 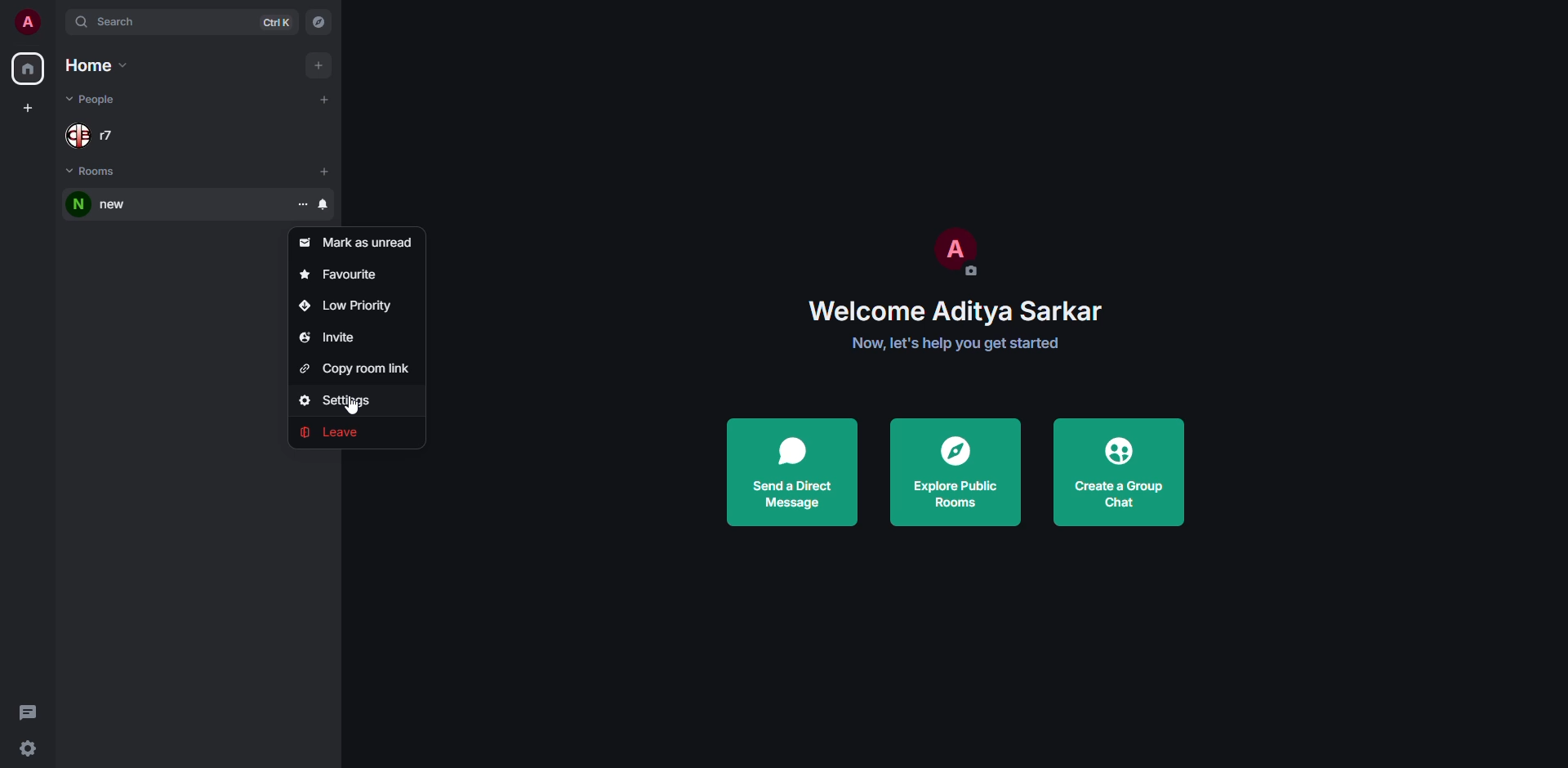 What do you see at coordinates (348, 306) in the screenshot?
I see `low priority` at bounding box center [348, 306].